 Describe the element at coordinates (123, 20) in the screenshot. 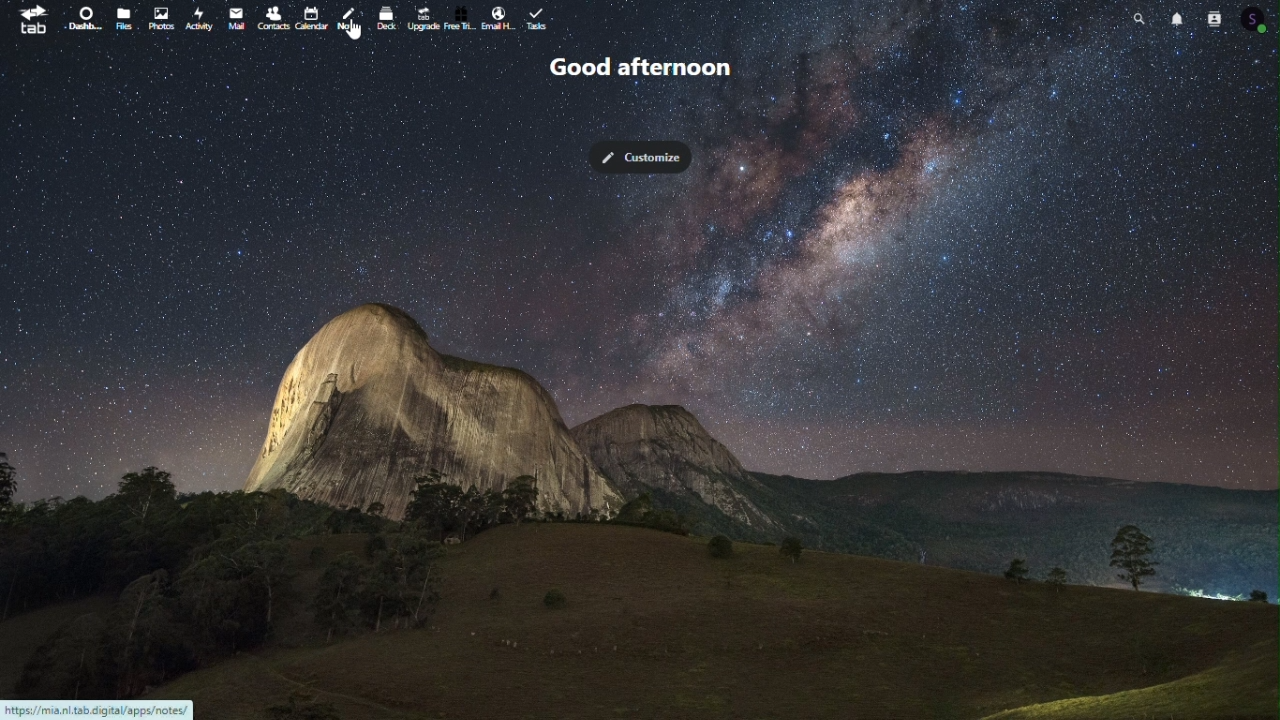

I see `File` at that location.